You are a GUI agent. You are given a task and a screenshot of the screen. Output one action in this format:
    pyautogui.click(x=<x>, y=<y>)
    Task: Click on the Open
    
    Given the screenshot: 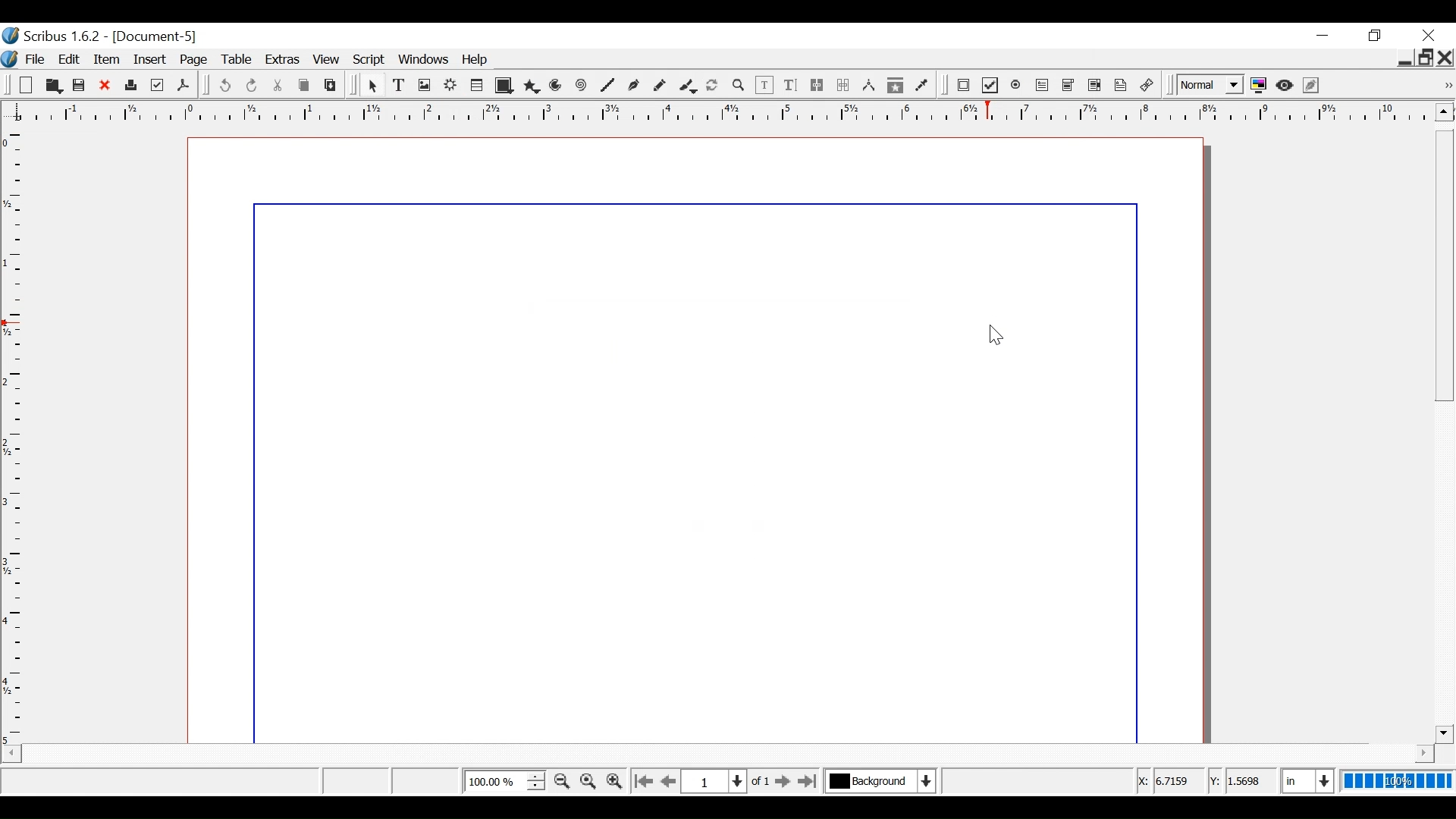 What is the action you would take?
    pyautogui.click(x=24, y=86)
    